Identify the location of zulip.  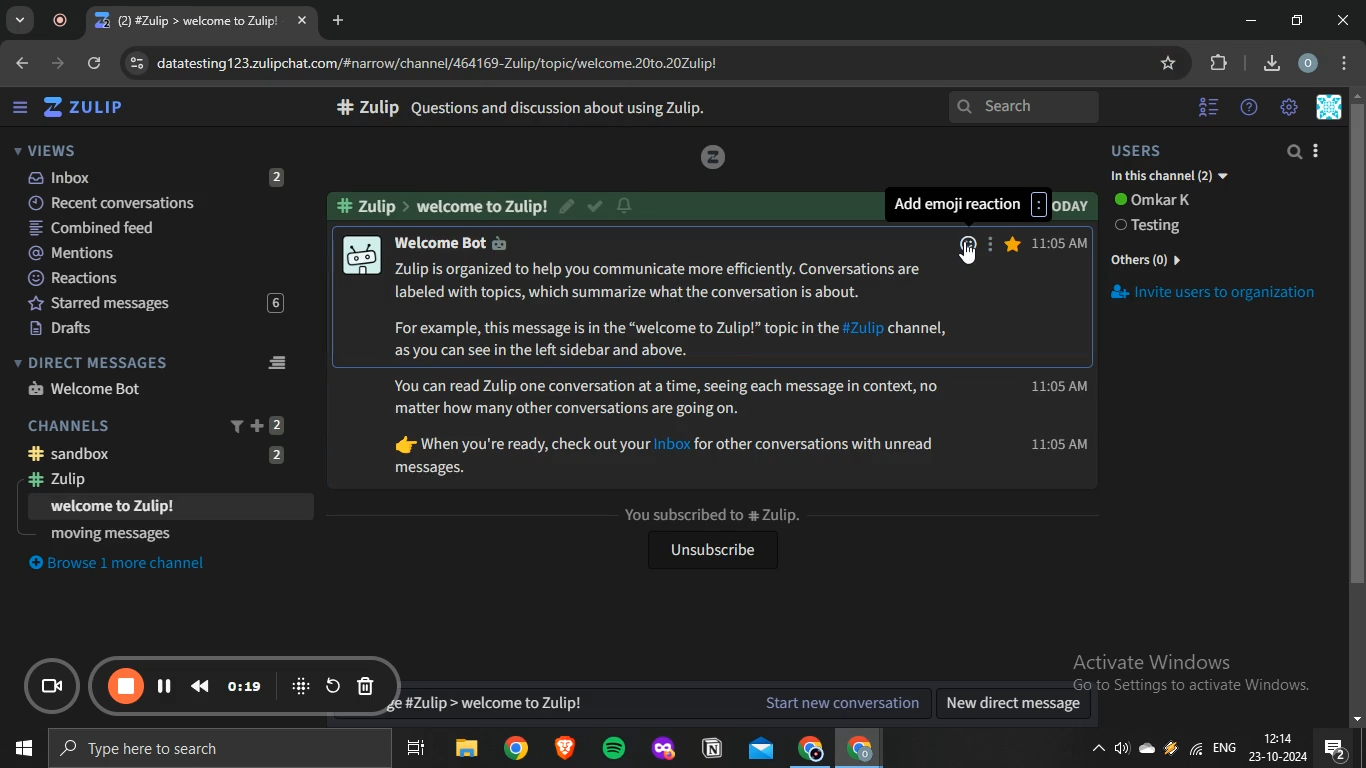
(88, 108).